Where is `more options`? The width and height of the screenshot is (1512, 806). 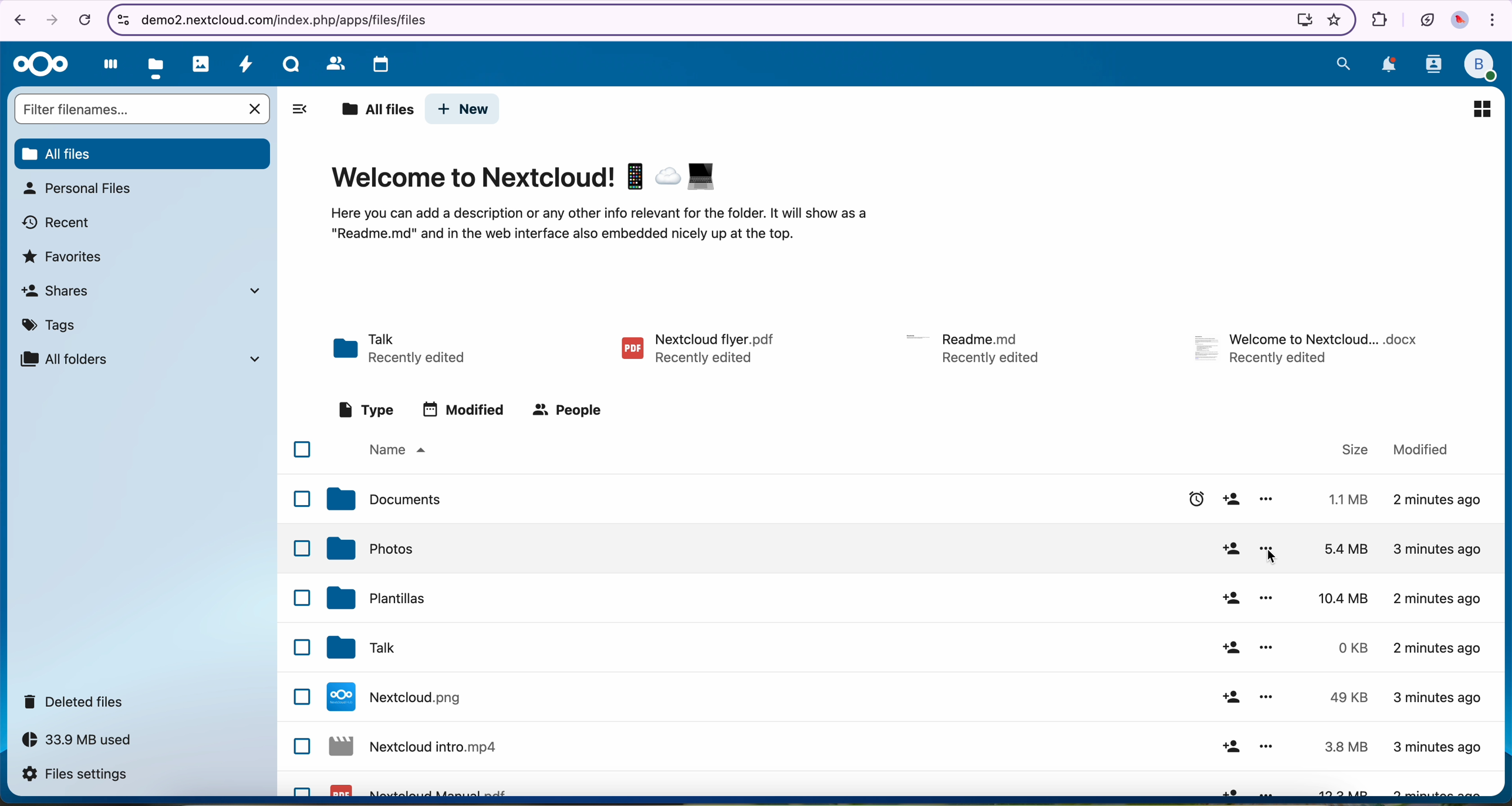
more options is located at coordinates (1266, 749).